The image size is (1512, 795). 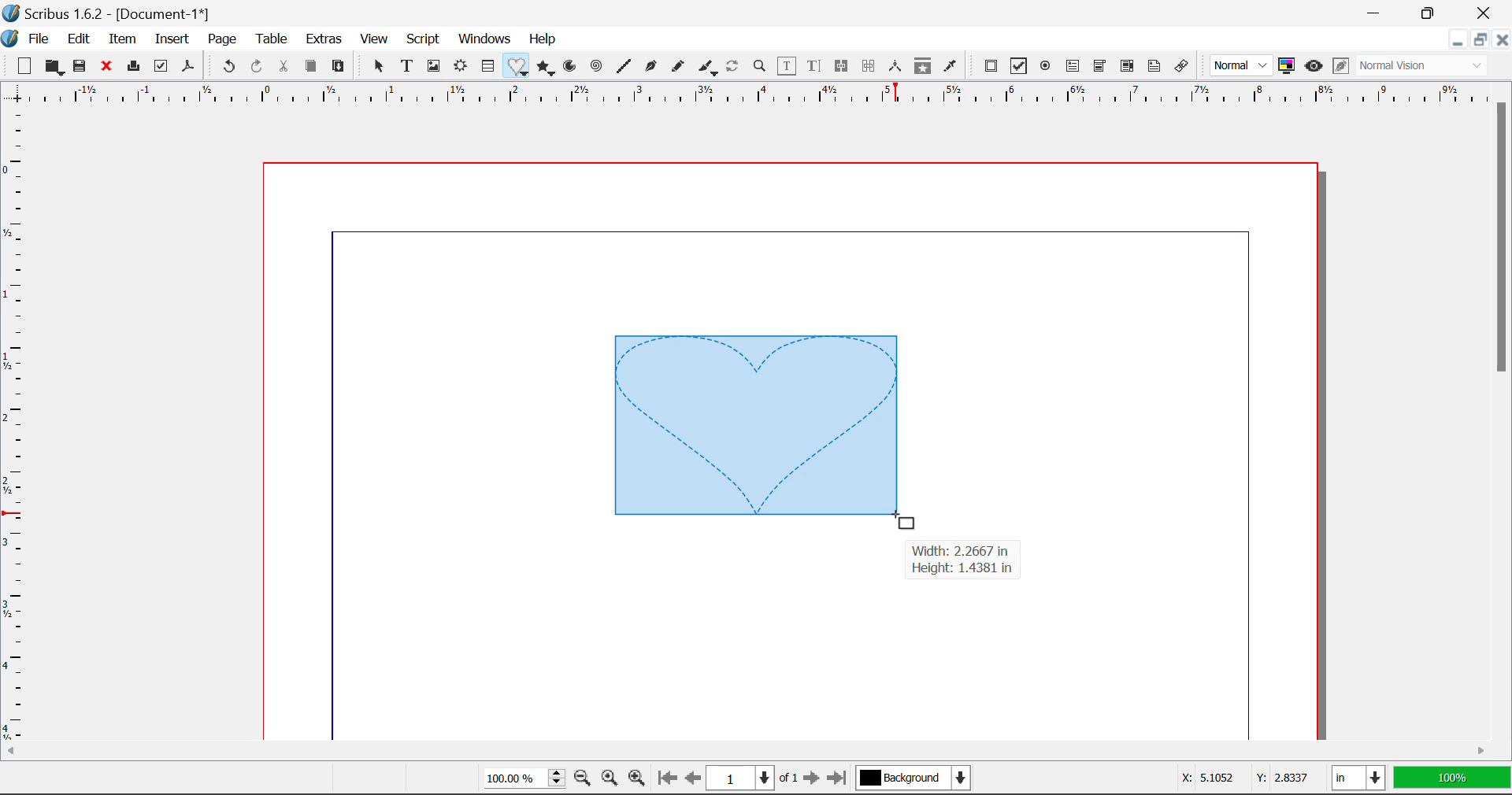 I want to click on Print, so click(x=136, y=67).